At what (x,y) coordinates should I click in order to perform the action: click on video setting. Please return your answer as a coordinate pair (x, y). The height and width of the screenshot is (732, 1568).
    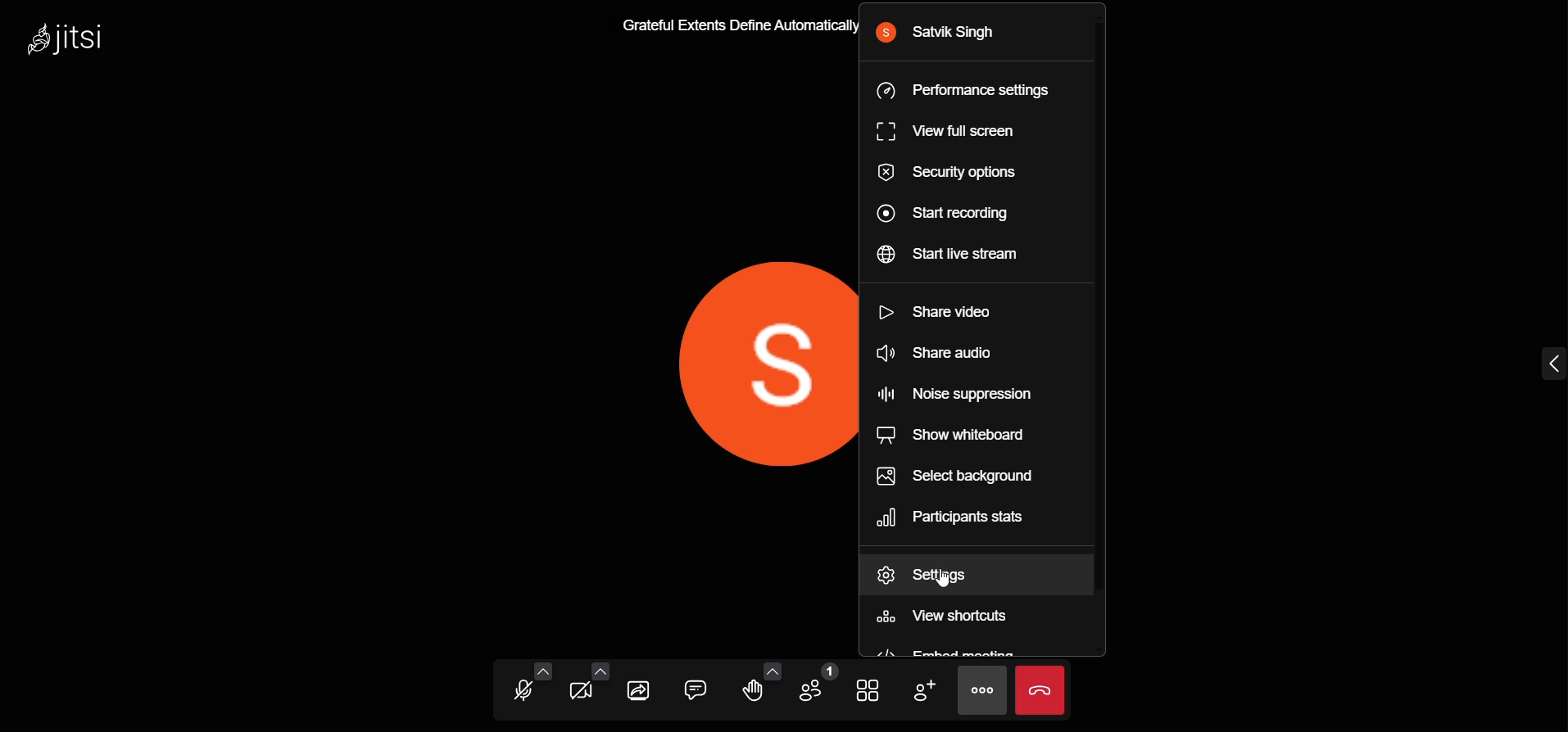
    Looking at the image, I should click on (600, 666).